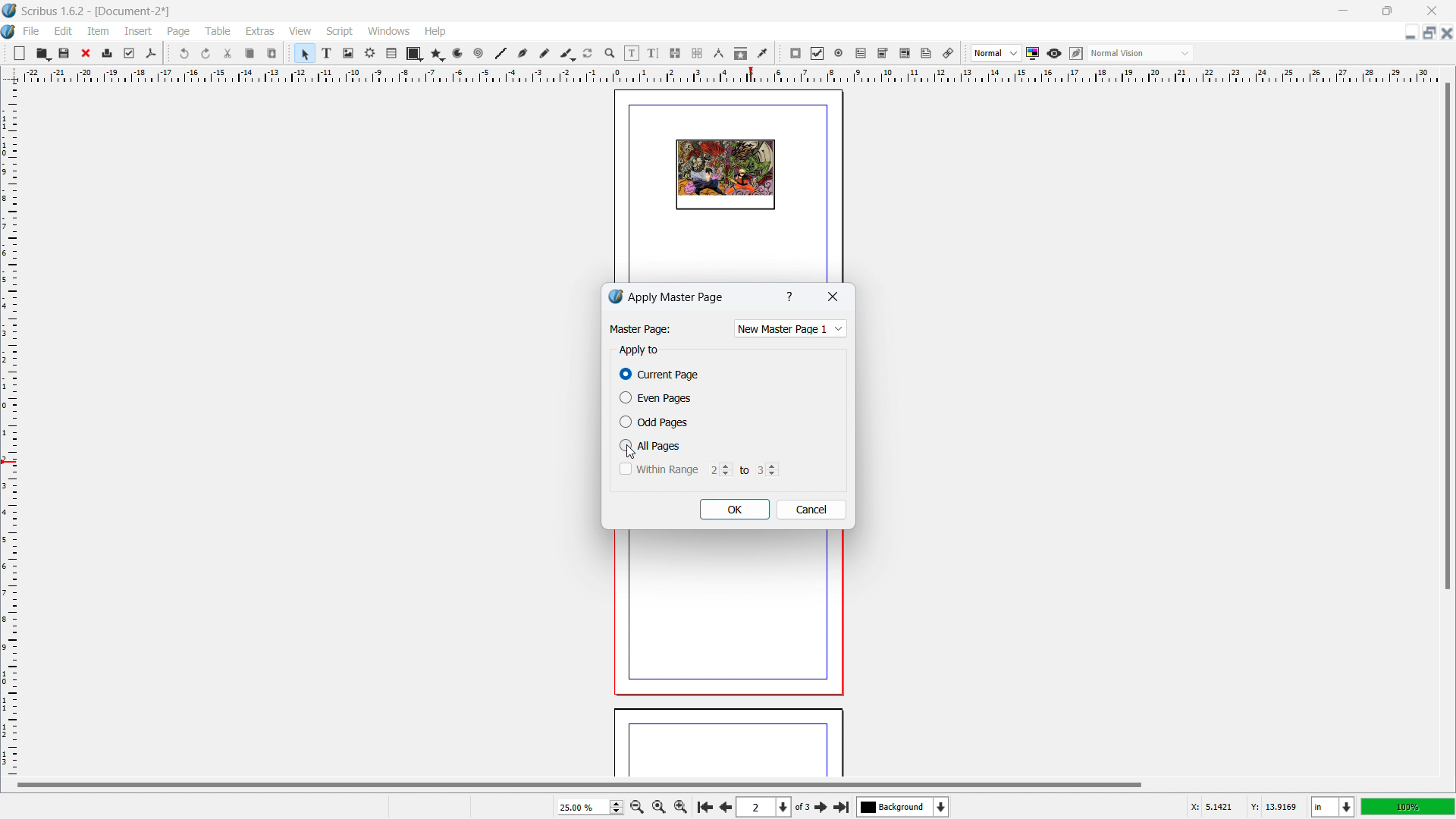 The height and width of the screenshot is (819, 1456). I want to click on range ending at page number, so click(767, 469).